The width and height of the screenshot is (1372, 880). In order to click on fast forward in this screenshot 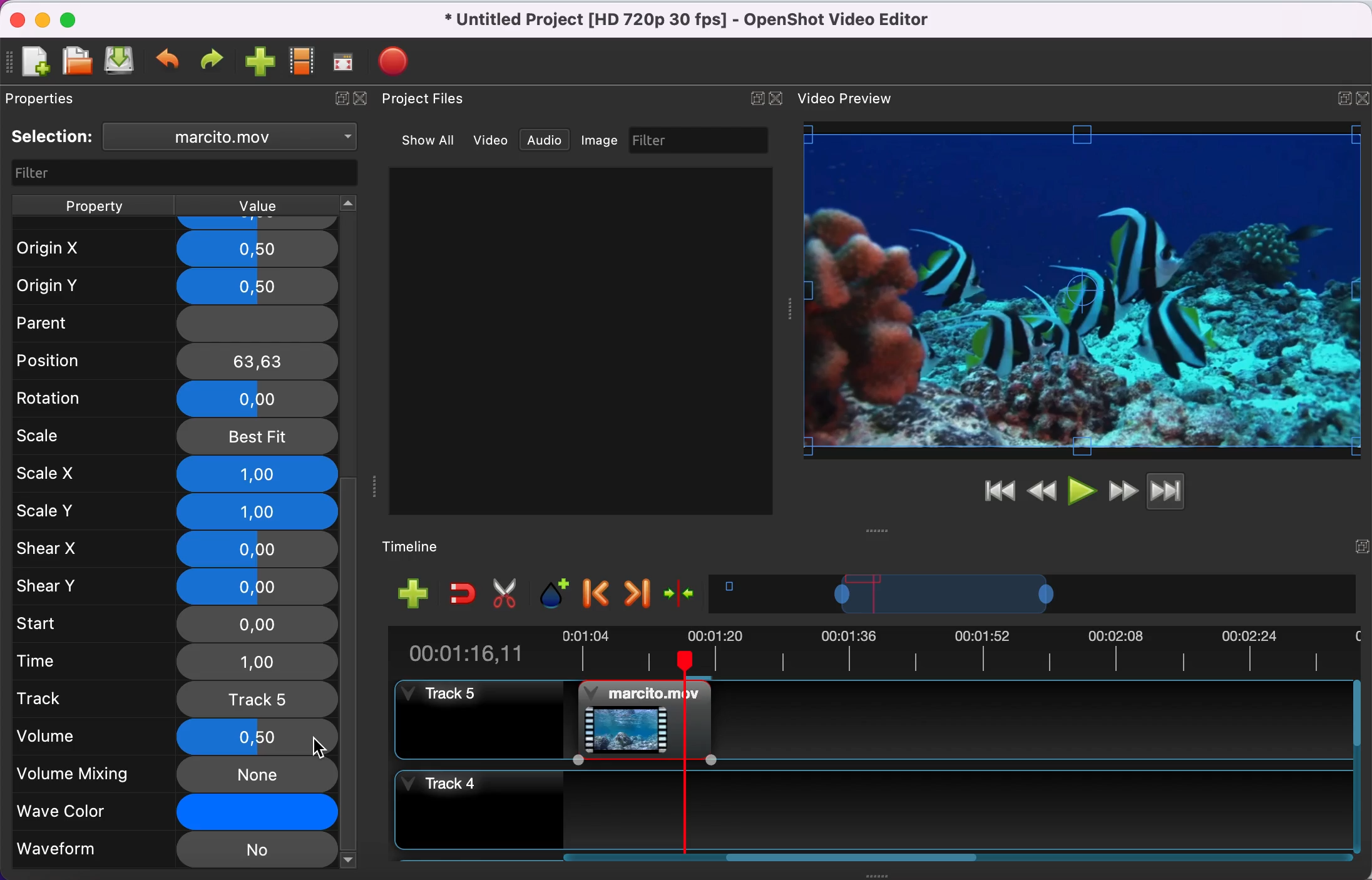, I will do `click(1122, 489)`.